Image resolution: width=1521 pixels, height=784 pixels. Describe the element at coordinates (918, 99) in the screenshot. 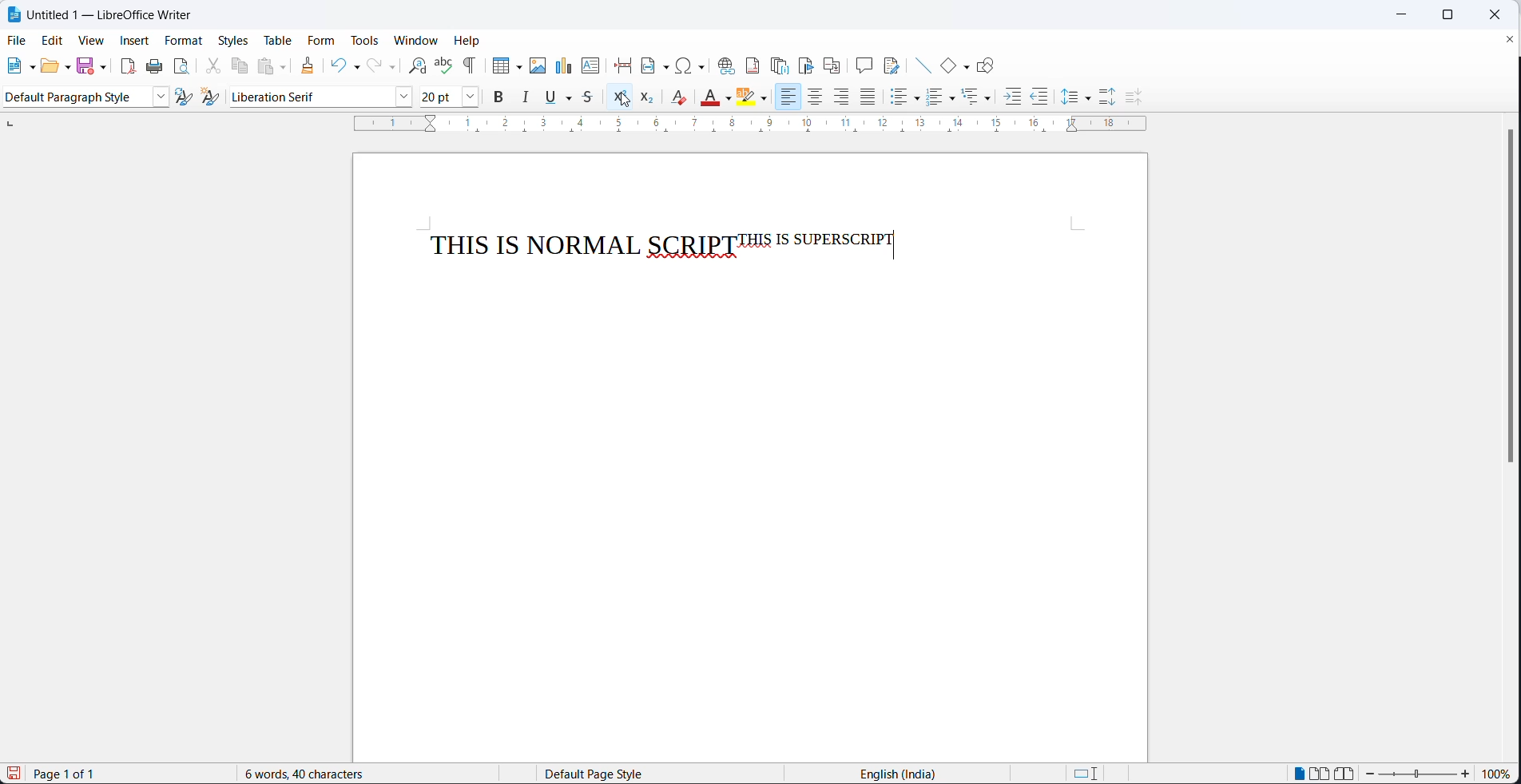

I see `toggle unordered list options` at that location.